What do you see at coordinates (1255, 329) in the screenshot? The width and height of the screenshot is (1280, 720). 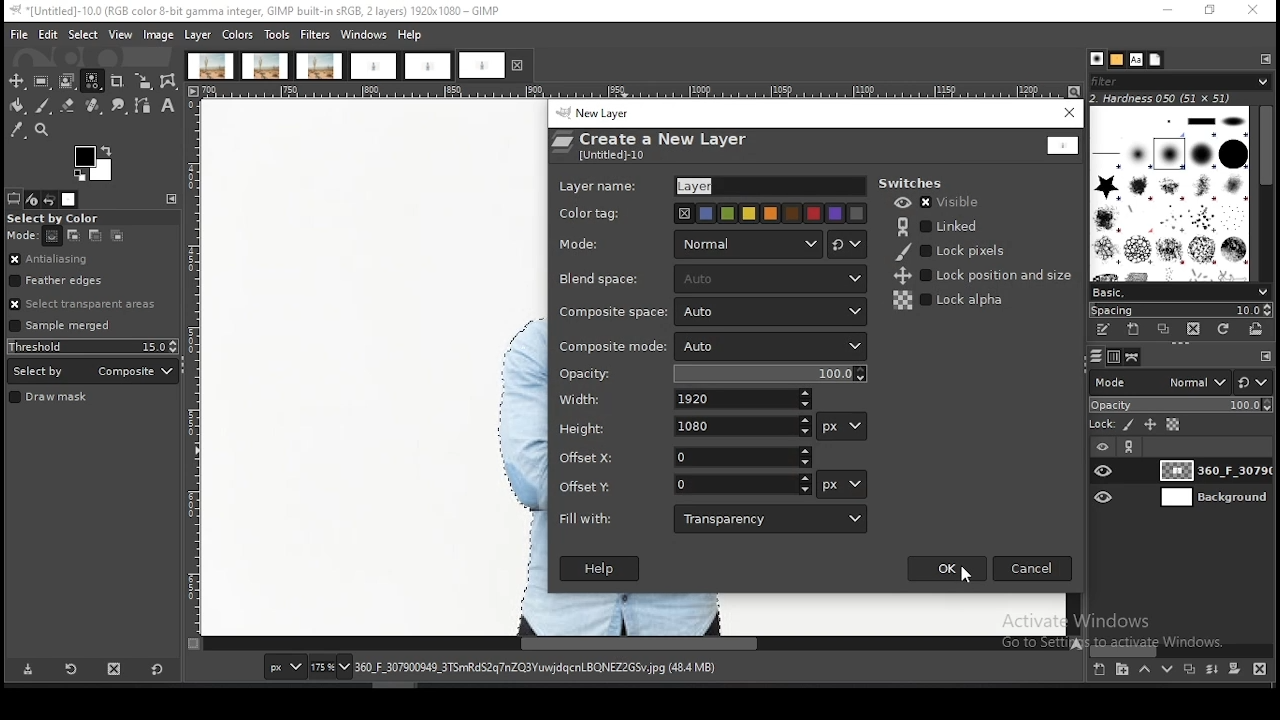 I see `open brush as image` at bounding box center [1255, 329].